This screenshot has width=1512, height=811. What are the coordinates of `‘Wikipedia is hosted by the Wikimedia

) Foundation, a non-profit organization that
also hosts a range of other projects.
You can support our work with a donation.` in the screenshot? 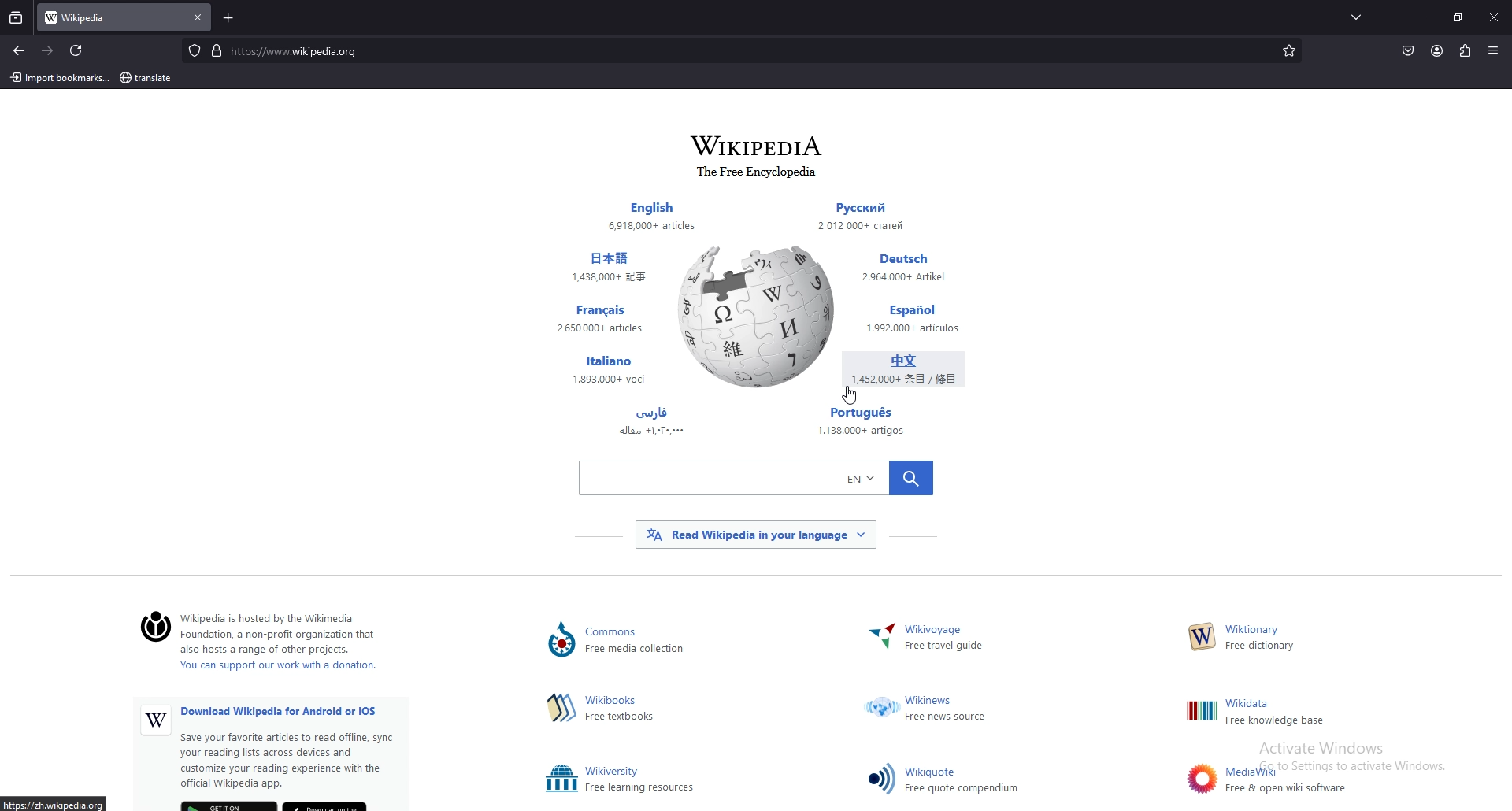 It's located at (291, 644).